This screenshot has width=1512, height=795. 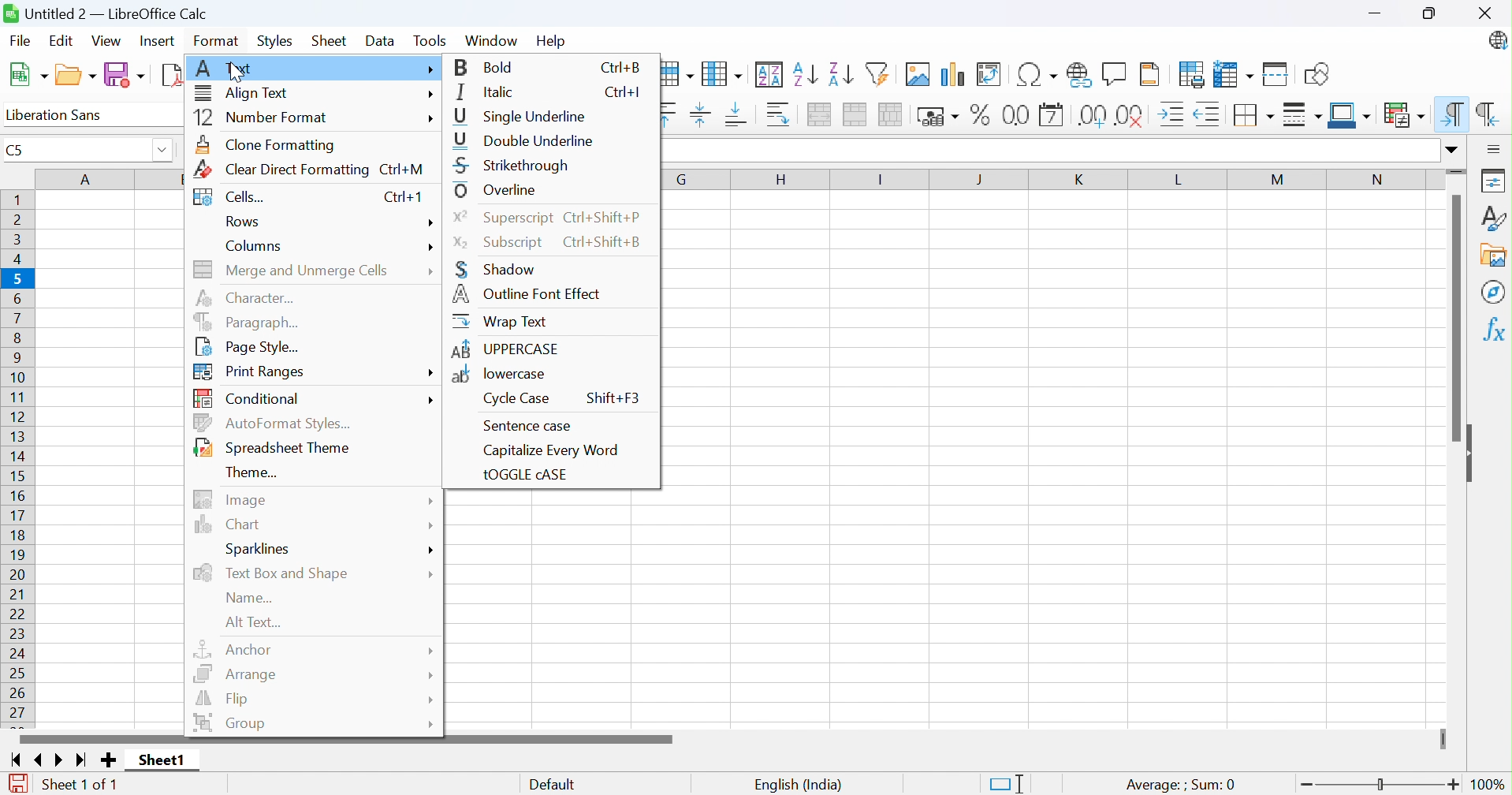 I want to click on UPPERCASE, so click(x=507, y=348).